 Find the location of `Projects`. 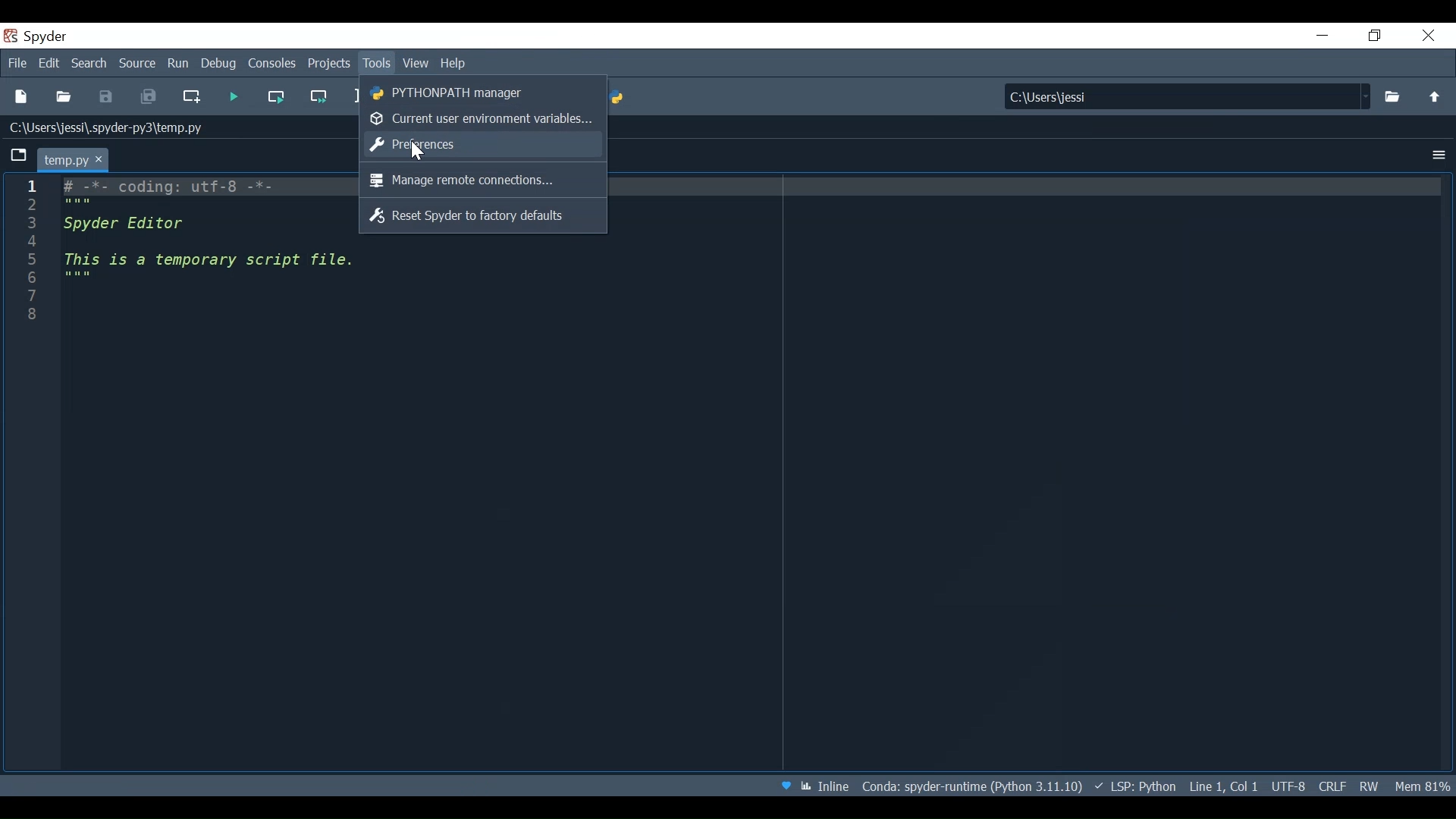

Projects is located at coordinates (328, 64).